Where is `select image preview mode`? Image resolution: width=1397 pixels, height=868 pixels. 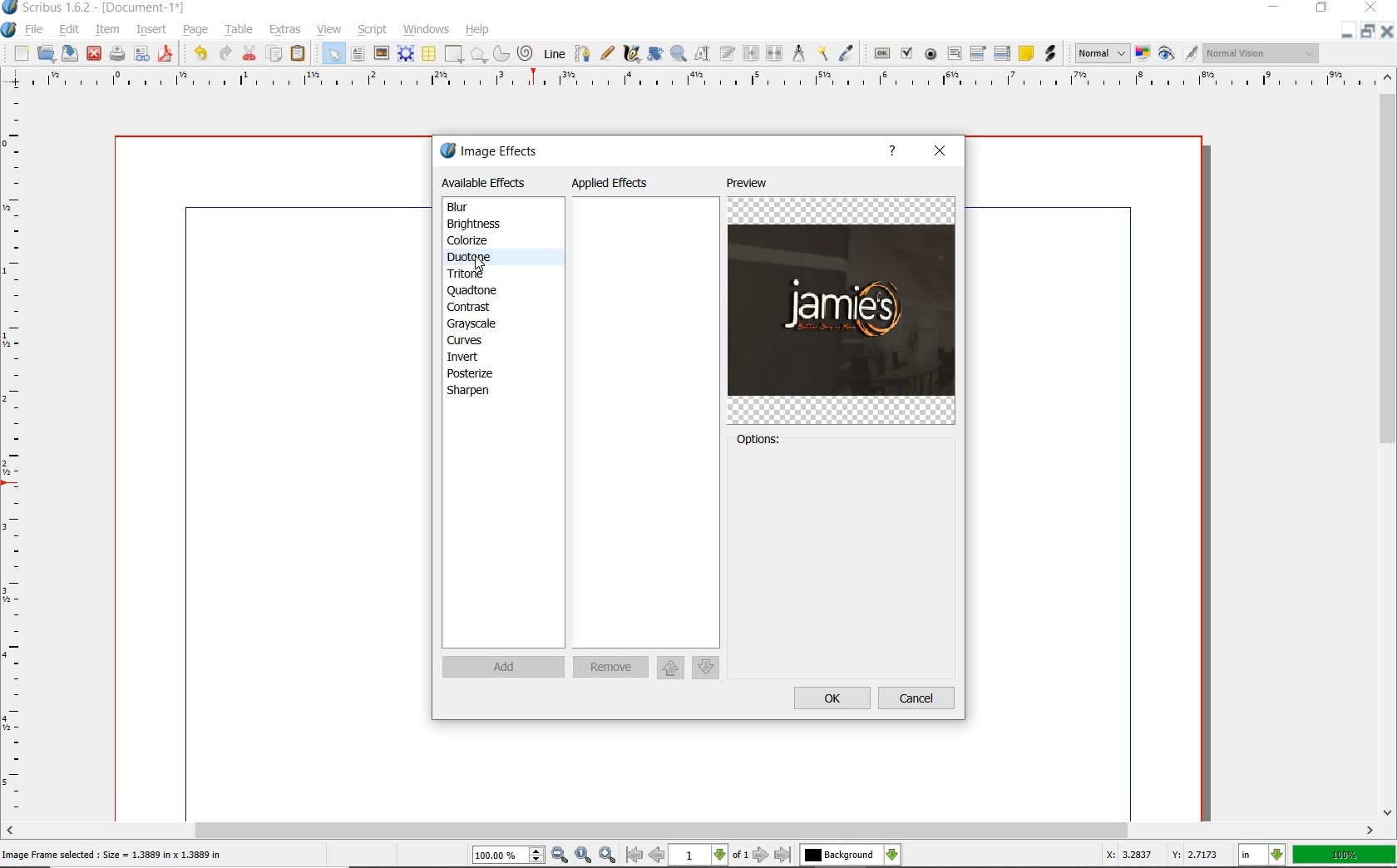 select image preview mode is located at coordinates (1101, 55).